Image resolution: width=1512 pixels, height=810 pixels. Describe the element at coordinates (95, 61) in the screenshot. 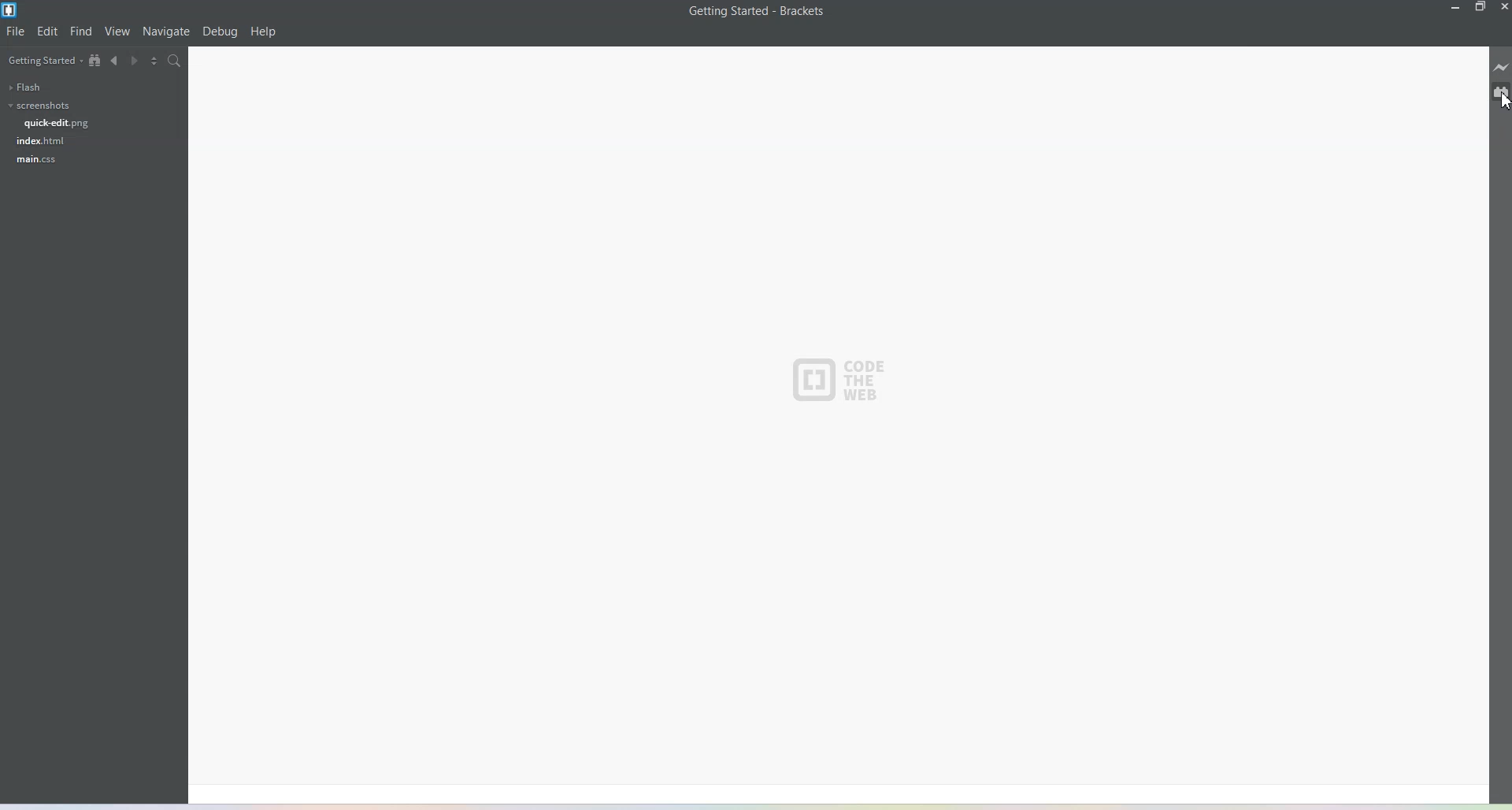

I see `Show in the file tree` at that location.